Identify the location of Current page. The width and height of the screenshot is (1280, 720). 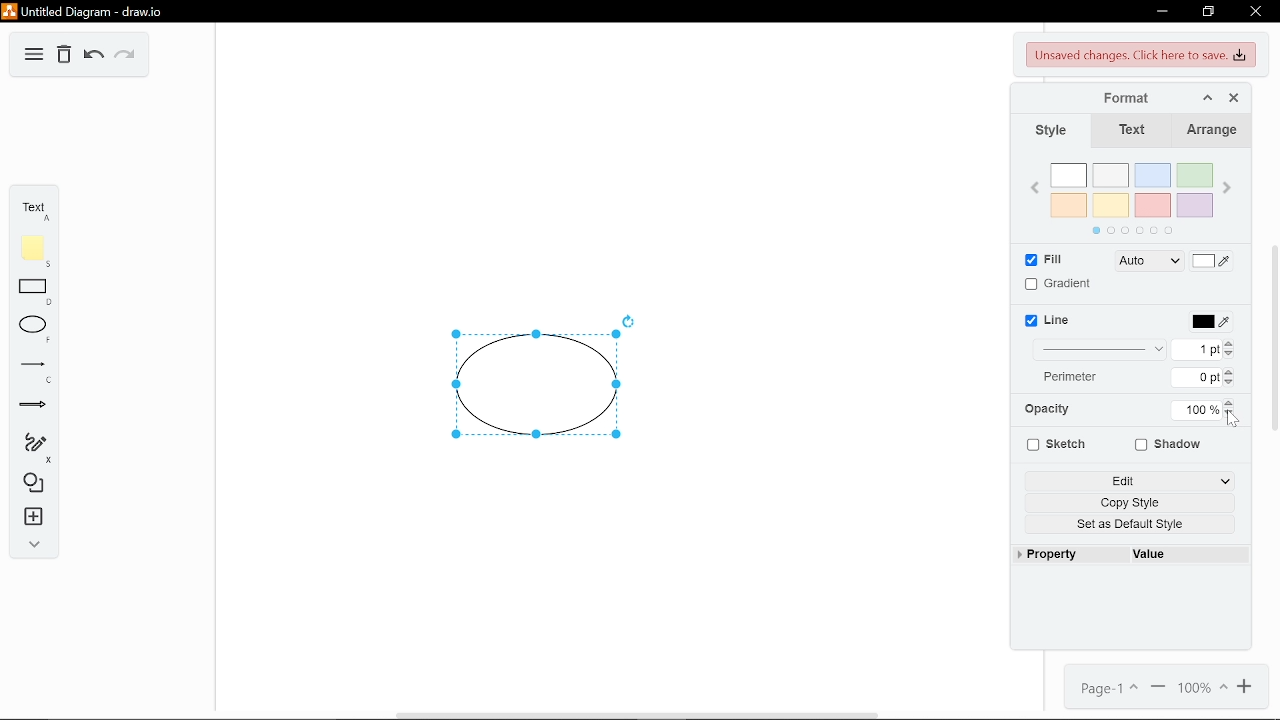
(1110, 689).